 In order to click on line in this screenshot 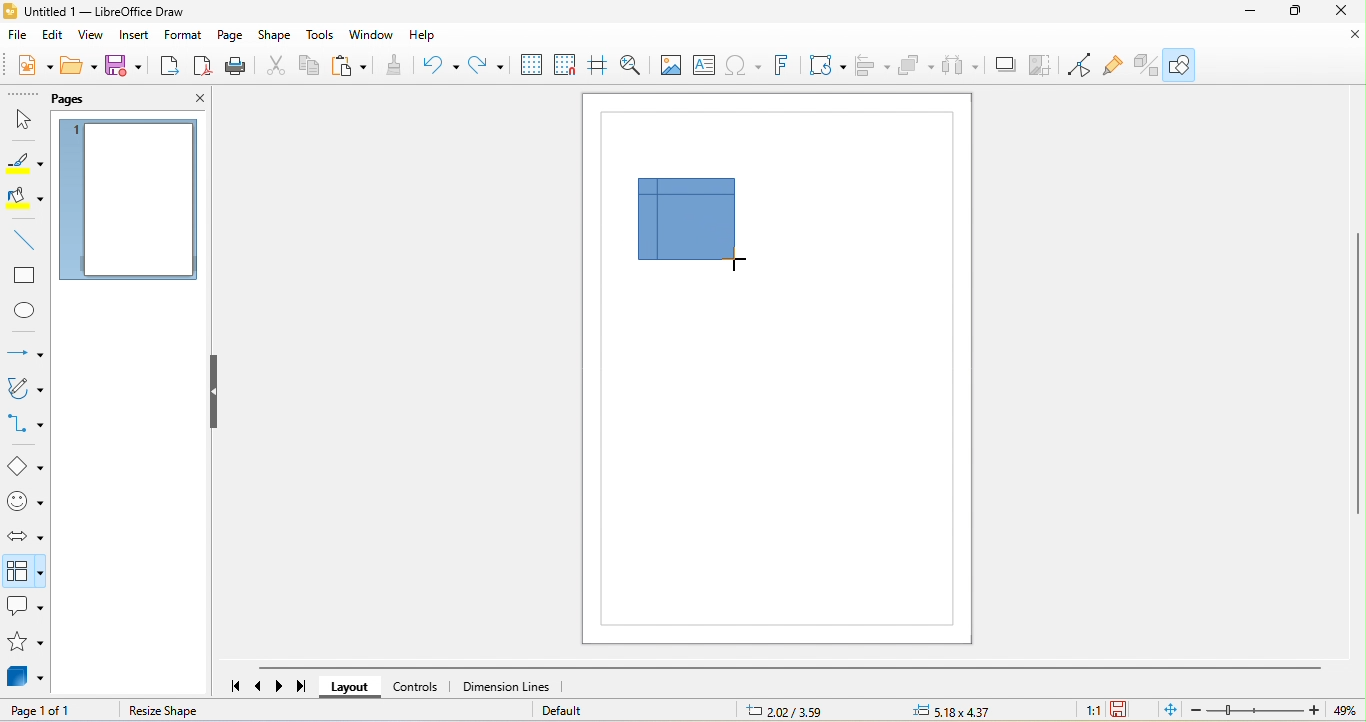, I will do `click(25, 241)`.